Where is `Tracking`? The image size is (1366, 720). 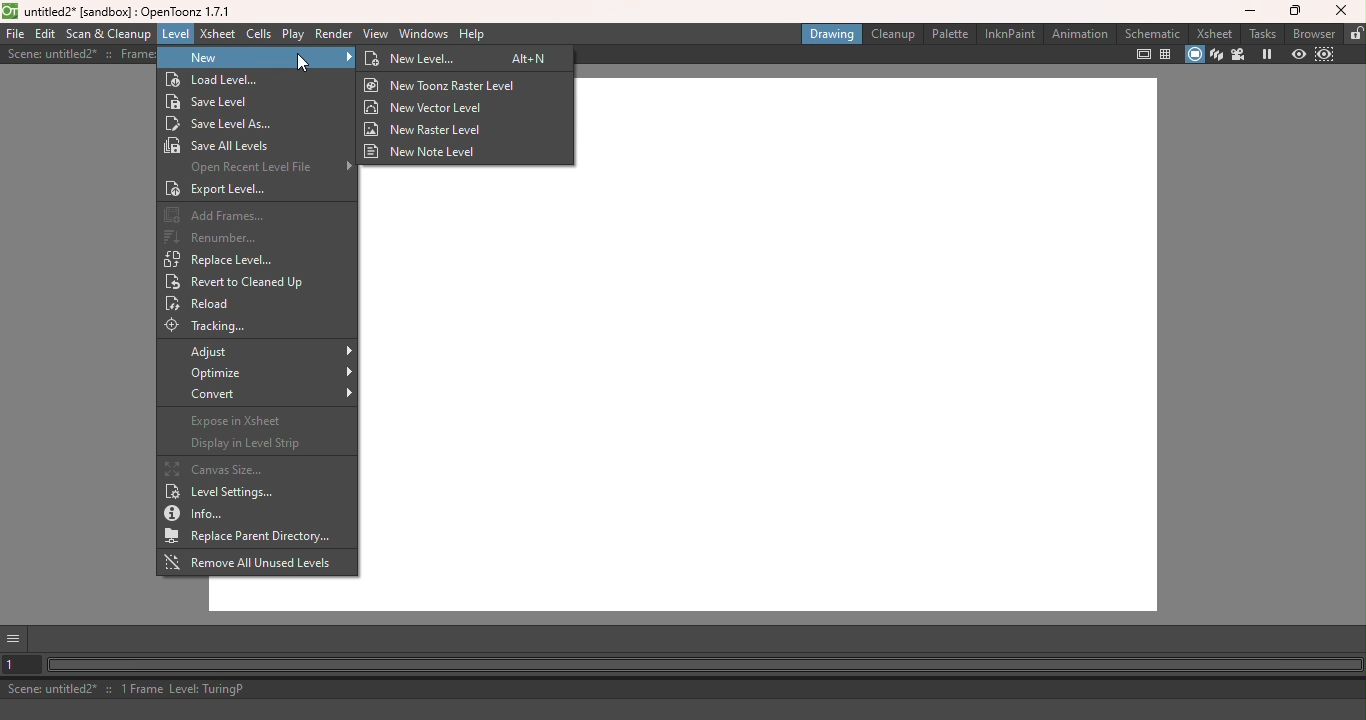
Tracking is located at coordinates (217, 327).